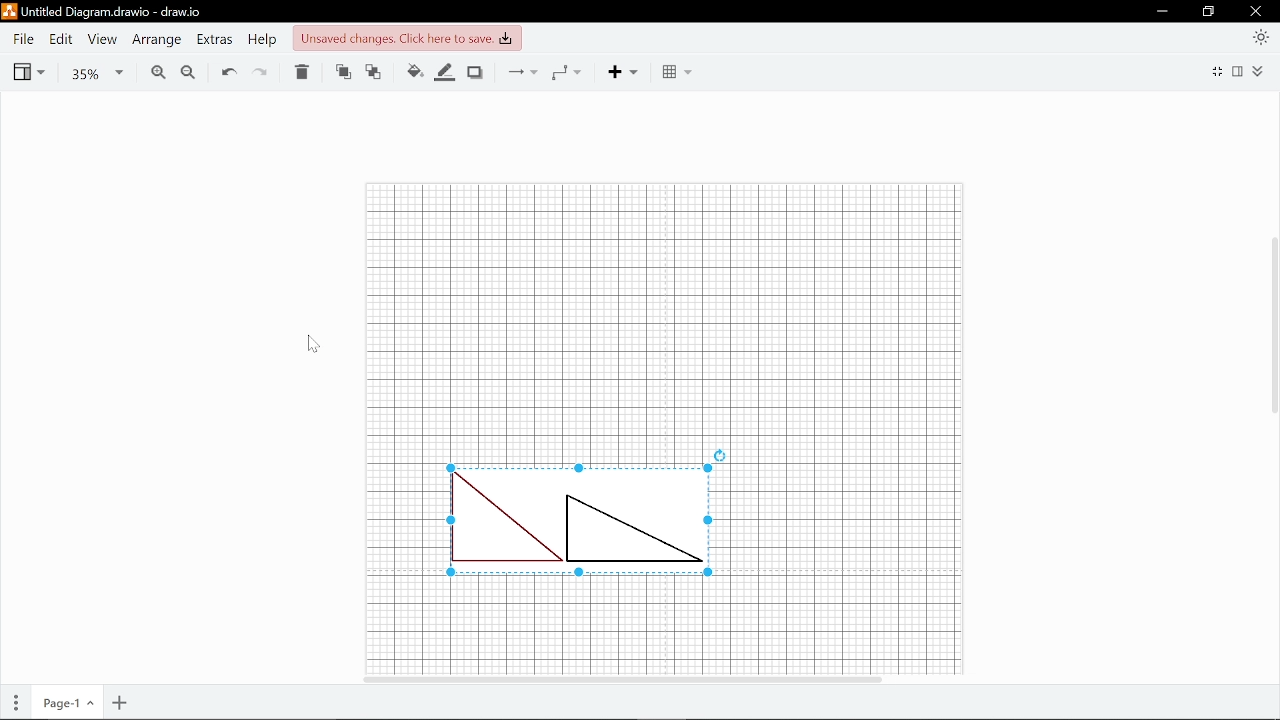 This screenshot has width=1280, height=720. What do you see at coordinates (63, 704) in the screenshot?
I see `Current page` at bounding box center [63, 704].